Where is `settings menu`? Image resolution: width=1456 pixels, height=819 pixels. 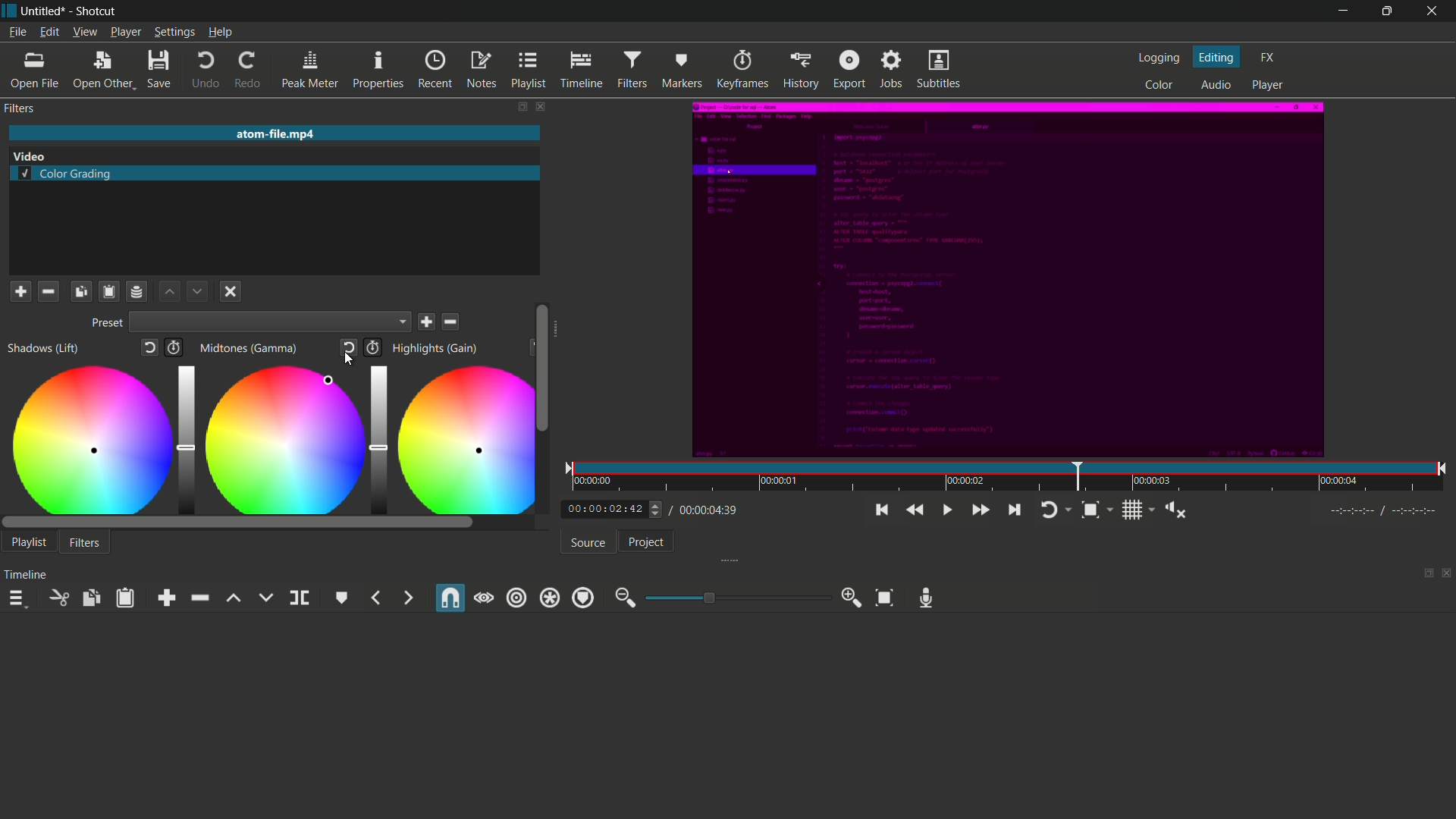 settings menu is located at coordinates (174, 33).